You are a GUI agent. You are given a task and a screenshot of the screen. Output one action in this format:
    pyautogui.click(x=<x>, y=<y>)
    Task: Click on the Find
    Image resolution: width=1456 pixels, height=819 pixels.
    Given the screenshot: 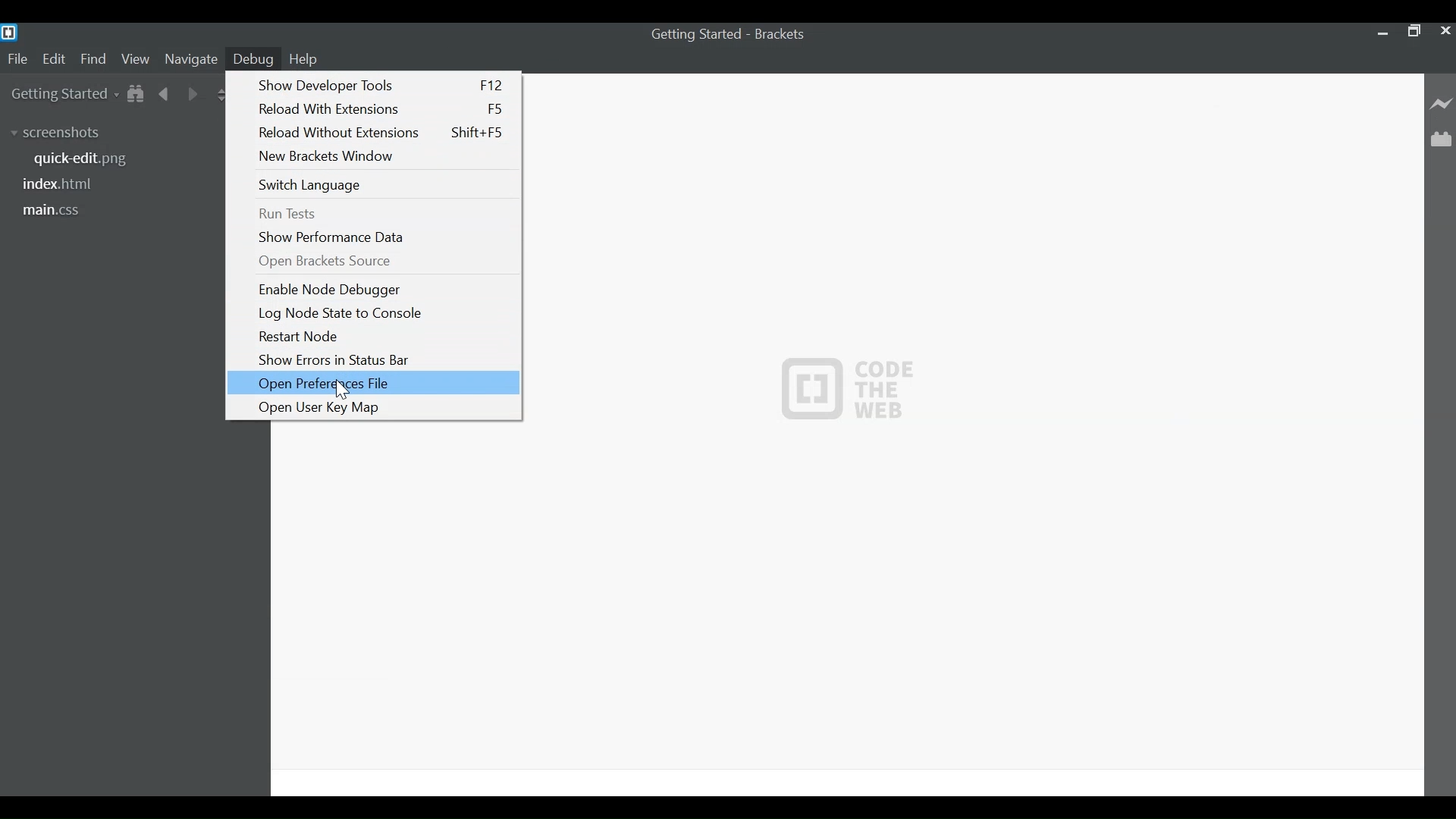 What is the action you would take?
    pyautogui.click(x=93, y=57)
    